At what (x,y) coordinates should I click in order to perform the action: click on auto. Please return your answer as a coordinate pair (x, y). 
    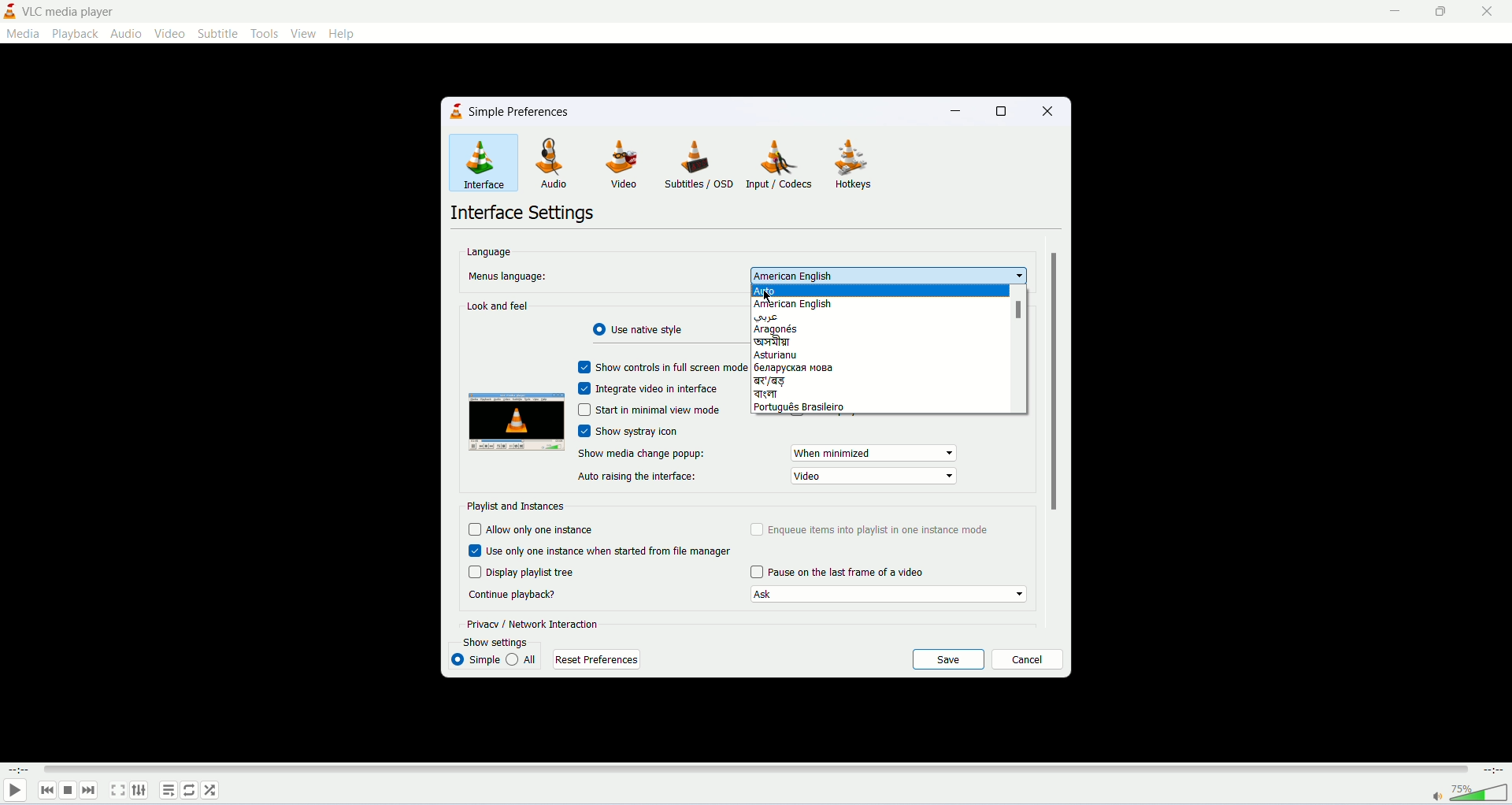
    Looking at the image, I should click on (880, 291).